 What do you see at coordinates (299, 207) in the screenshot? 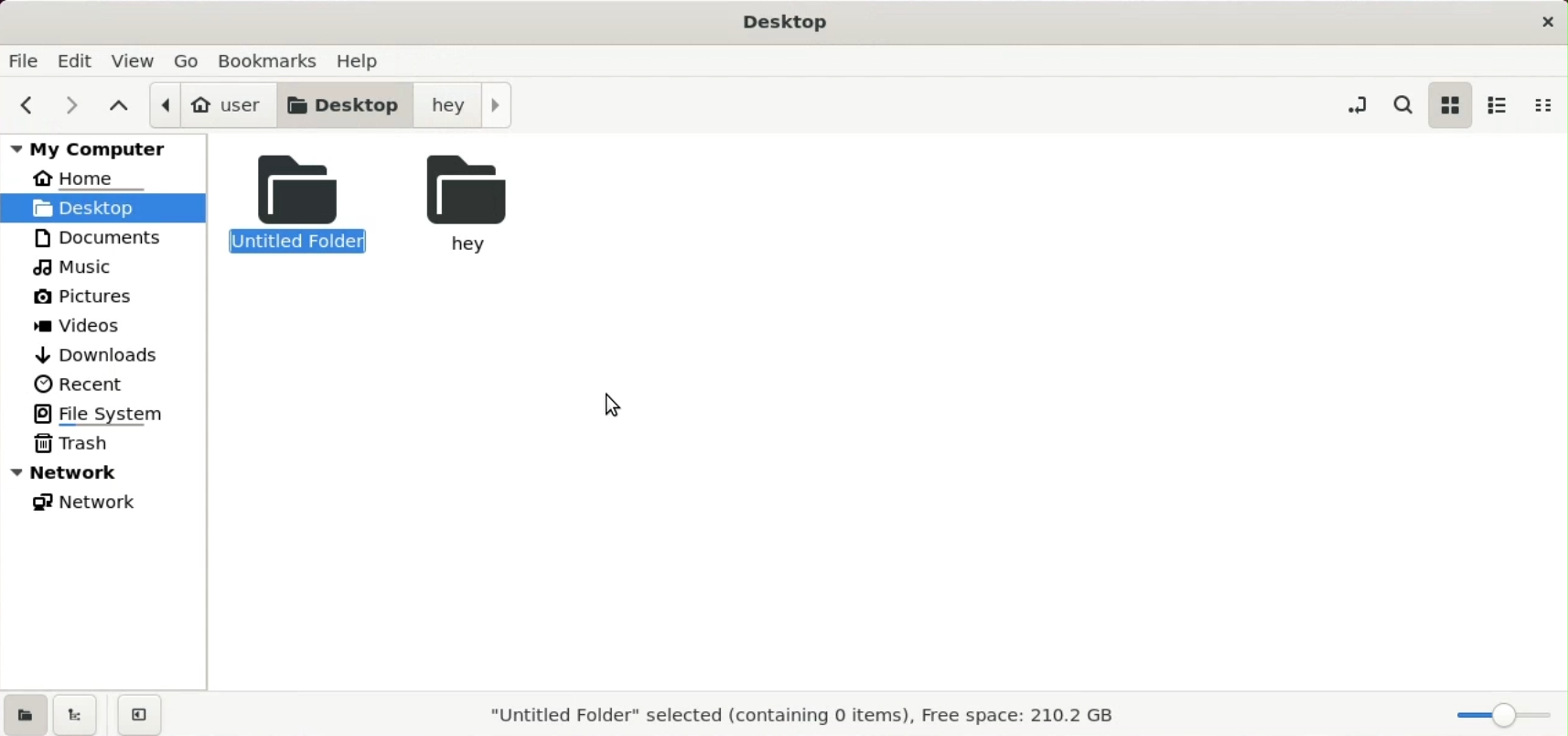
I see `untitled folder` at bounding box center [299, 207].